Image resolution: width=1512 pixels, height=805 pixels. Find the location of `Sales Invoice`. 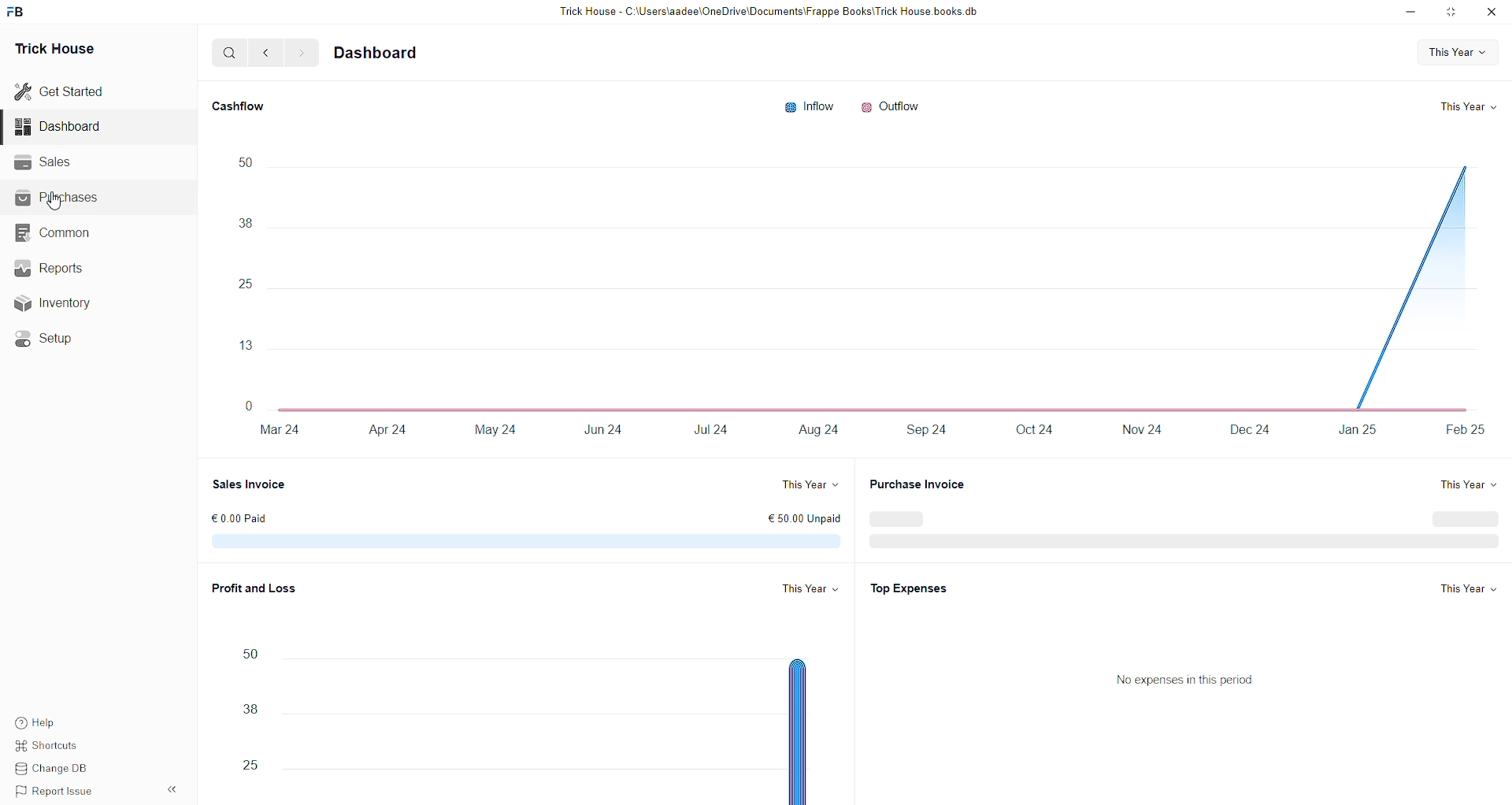

Sales Invoice is located at coordinates (251, 482).